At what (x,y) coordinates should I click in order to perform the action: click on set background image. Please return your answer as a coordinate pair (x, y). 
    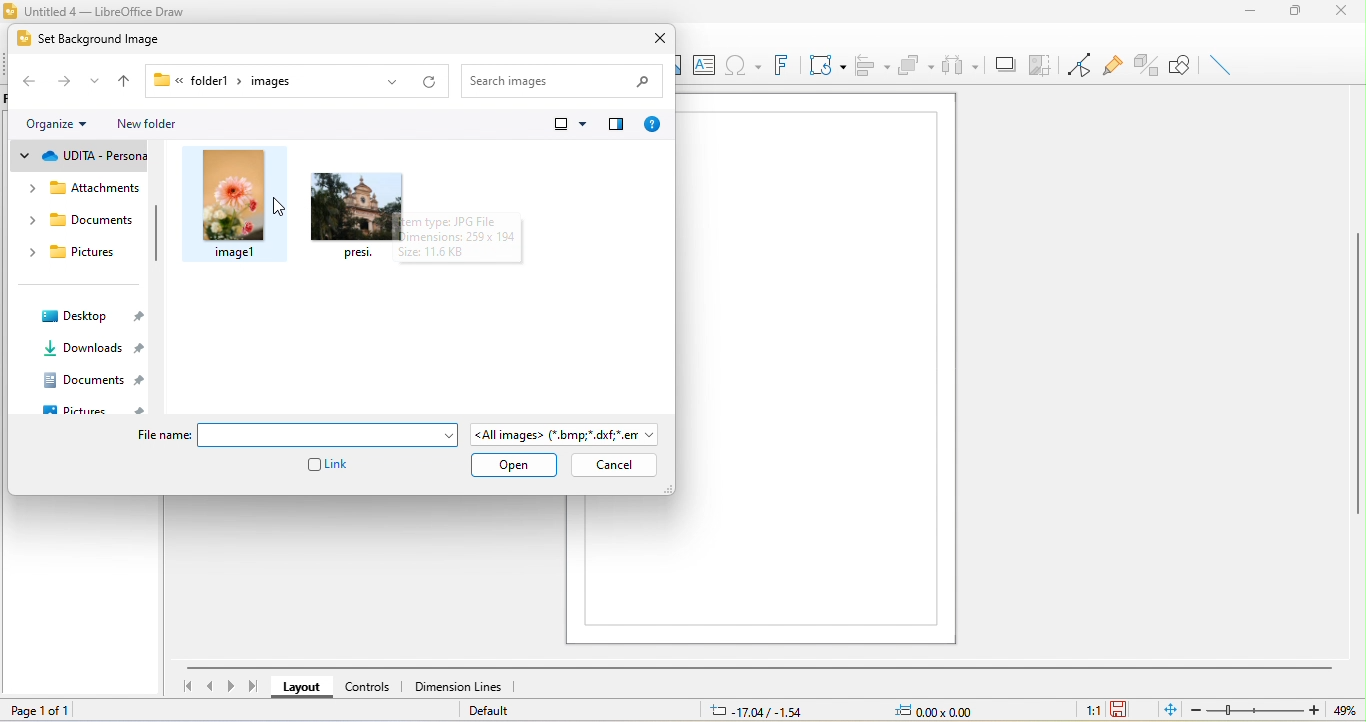
    Looking at the image, I should click on (104, 37).